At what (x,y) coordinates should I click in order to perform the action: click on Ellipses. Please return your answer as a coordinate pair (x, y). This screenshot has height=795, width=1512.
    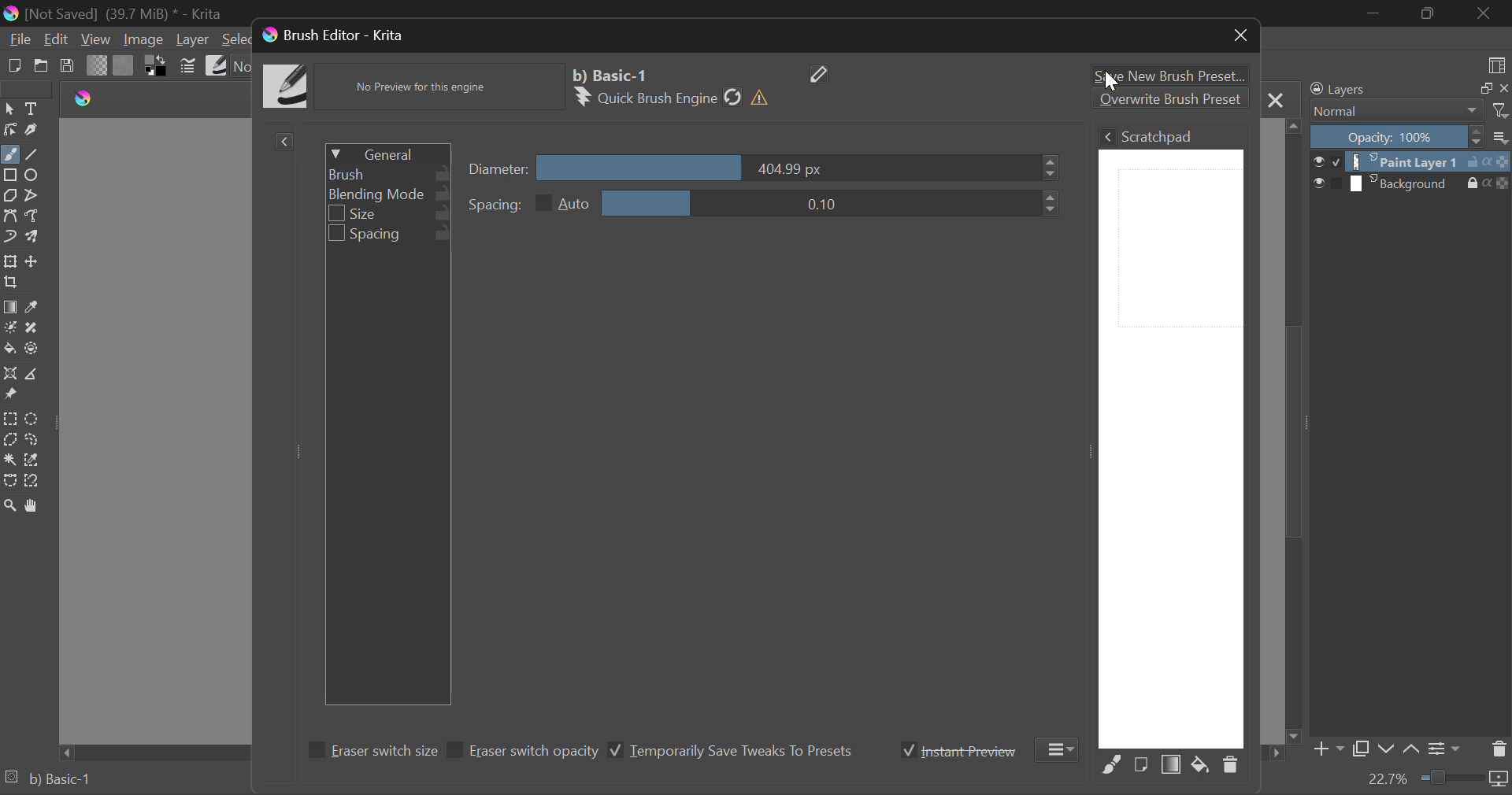
    Looking at the image, I should click on (34, 176).